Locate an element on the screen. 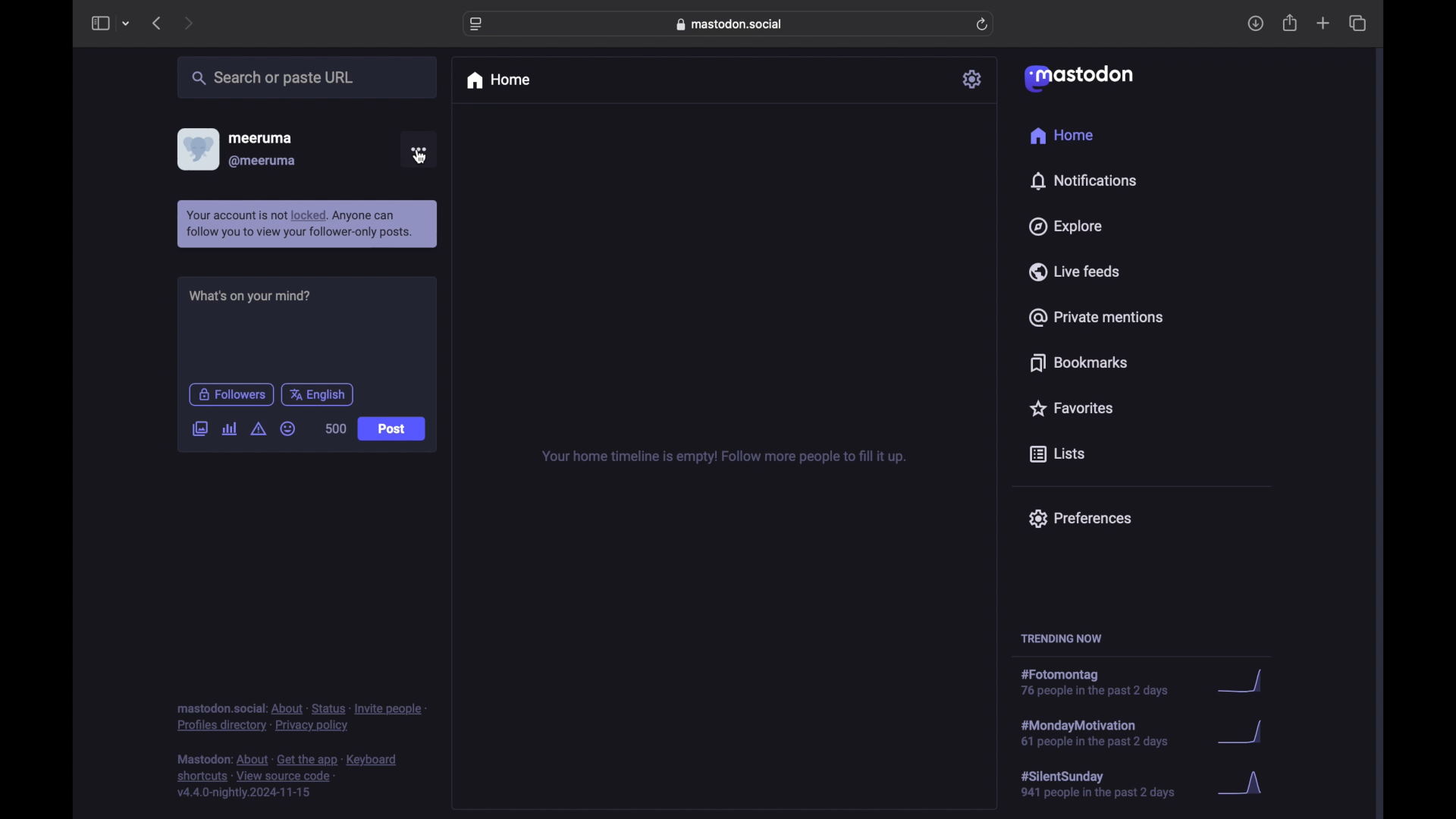  Cursor is located at coordinates (419, 158).